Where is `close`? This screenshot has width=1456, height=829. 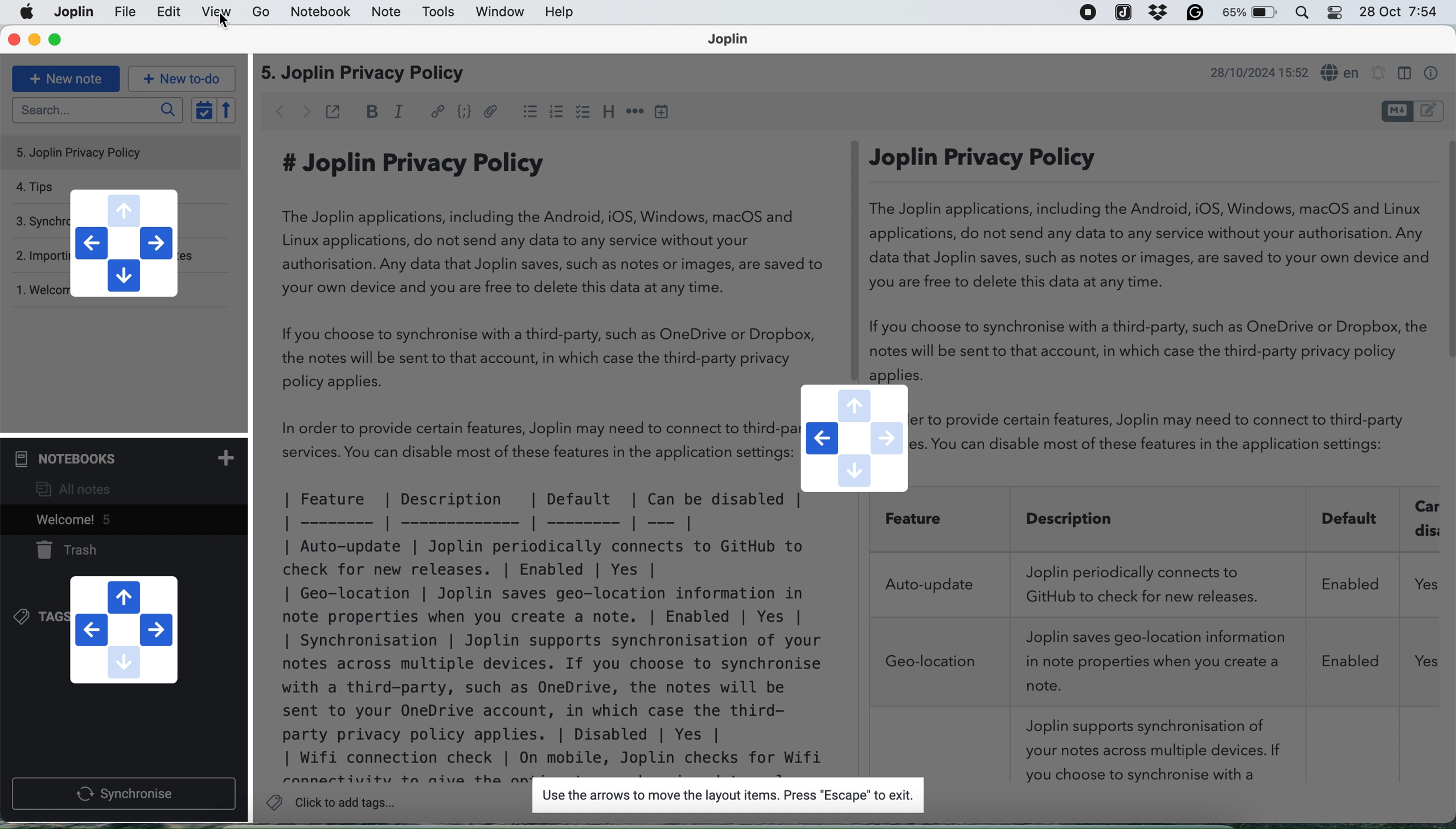
close is located at coordinates (13, 40).